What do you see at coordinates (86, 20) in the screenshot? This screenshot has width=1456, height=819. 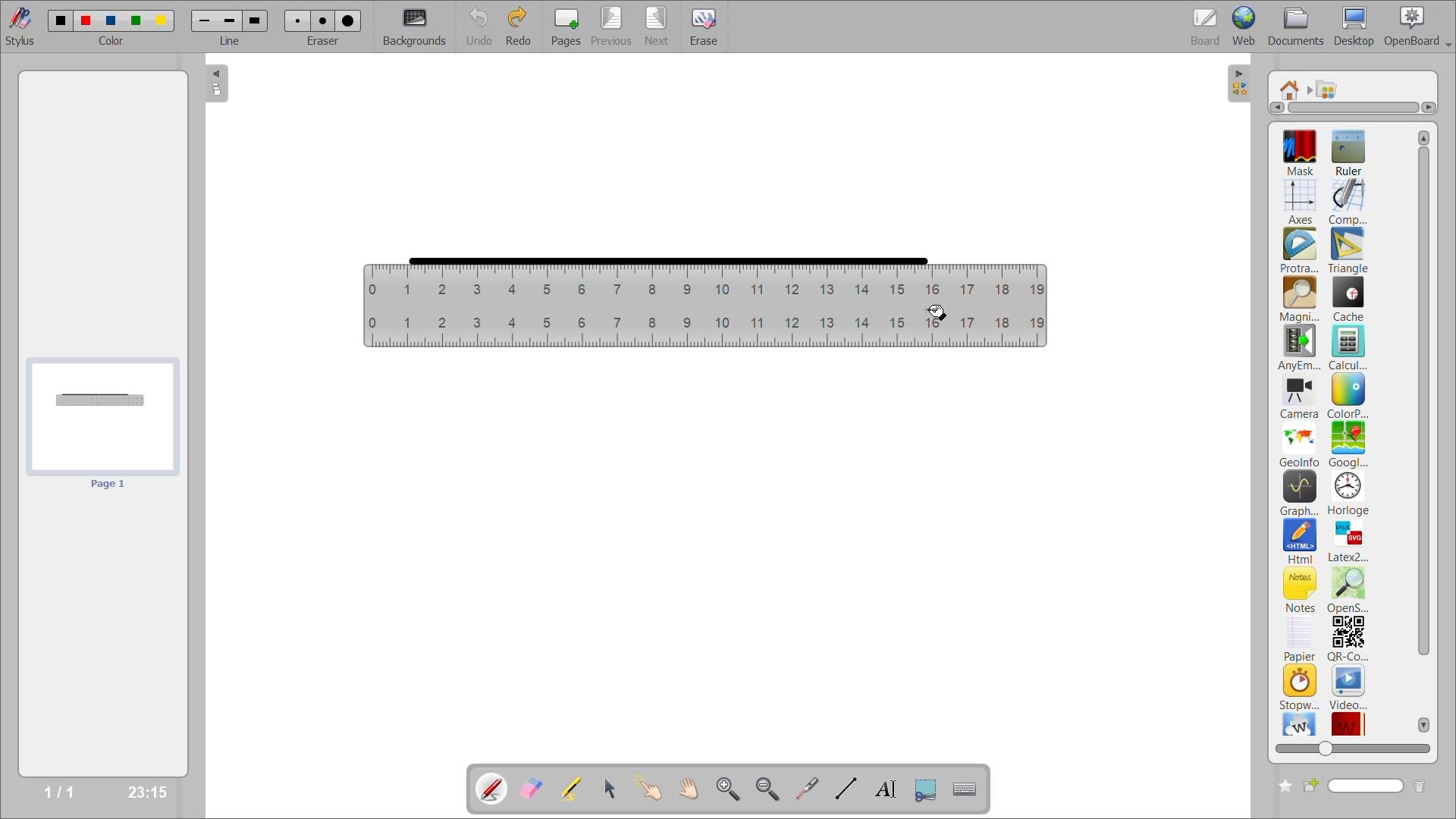 I see `color 2` at bounding box center [86, 20].